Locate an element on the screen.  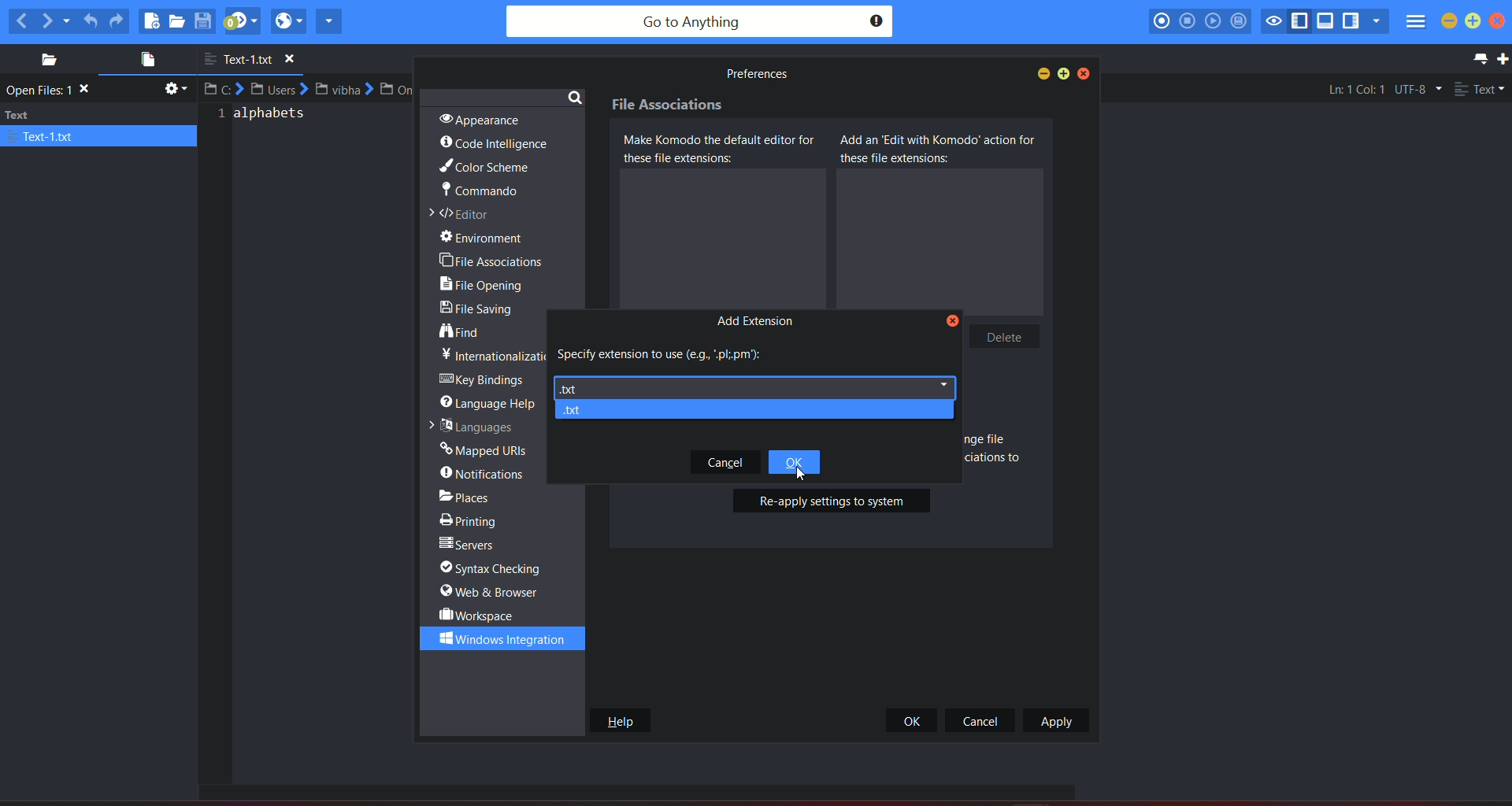
key bridges is located at coordinates (485, 380).